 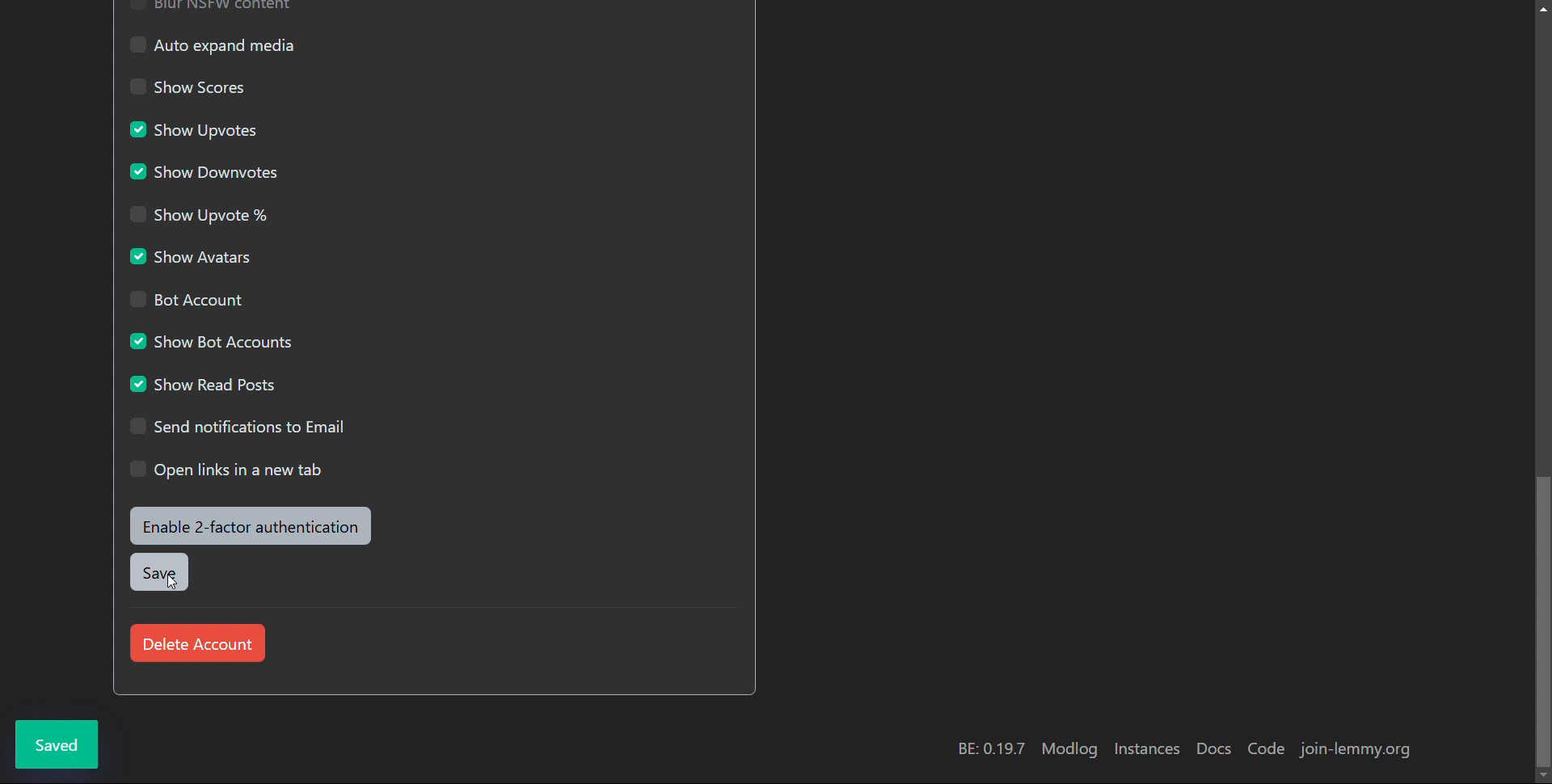 I want to click on enable 2-factor authentication, so click(x=250, y=526).